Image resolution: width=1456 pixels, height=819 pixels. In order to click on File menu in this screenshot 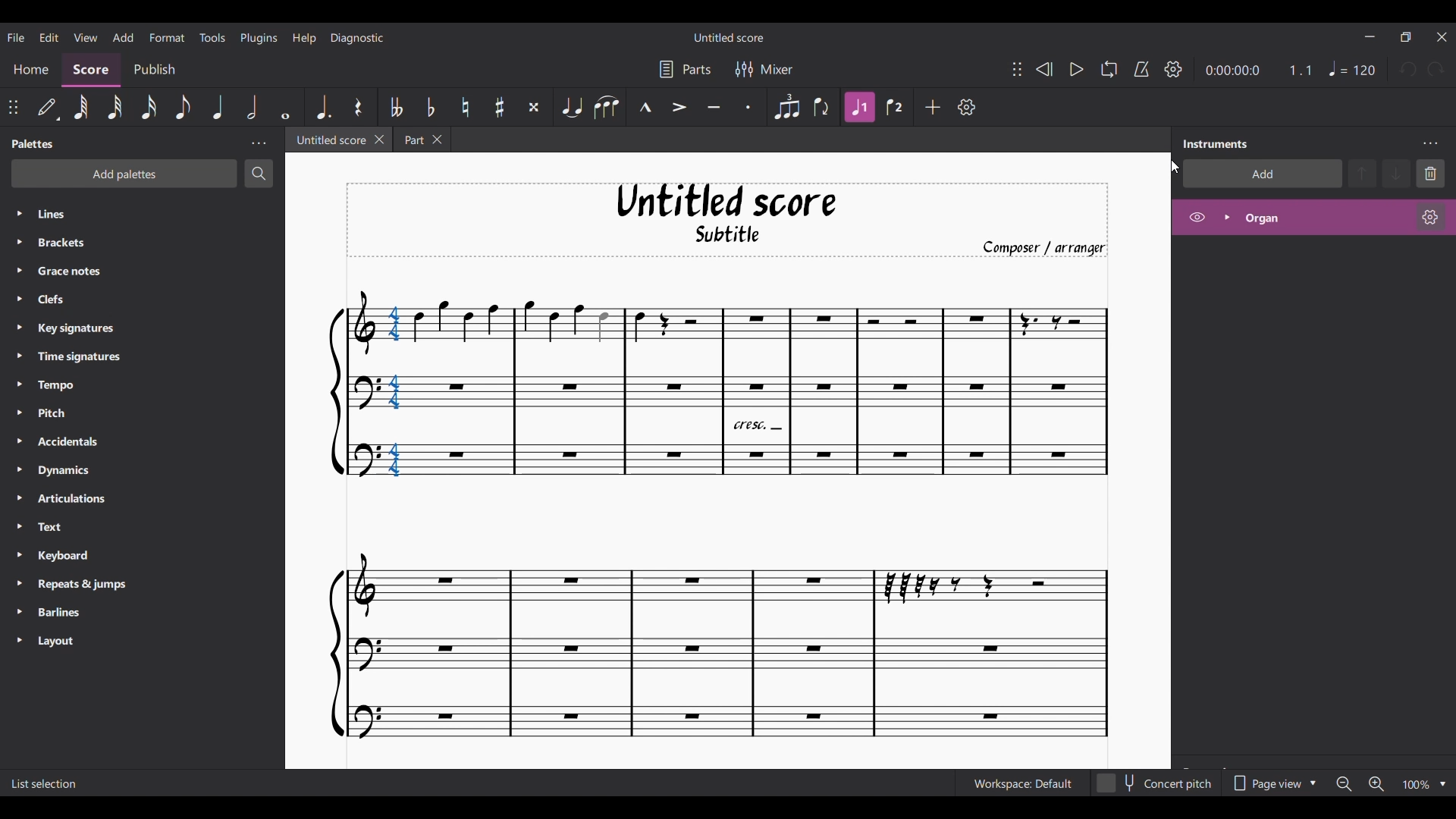, I will do `click(15, 38)`.